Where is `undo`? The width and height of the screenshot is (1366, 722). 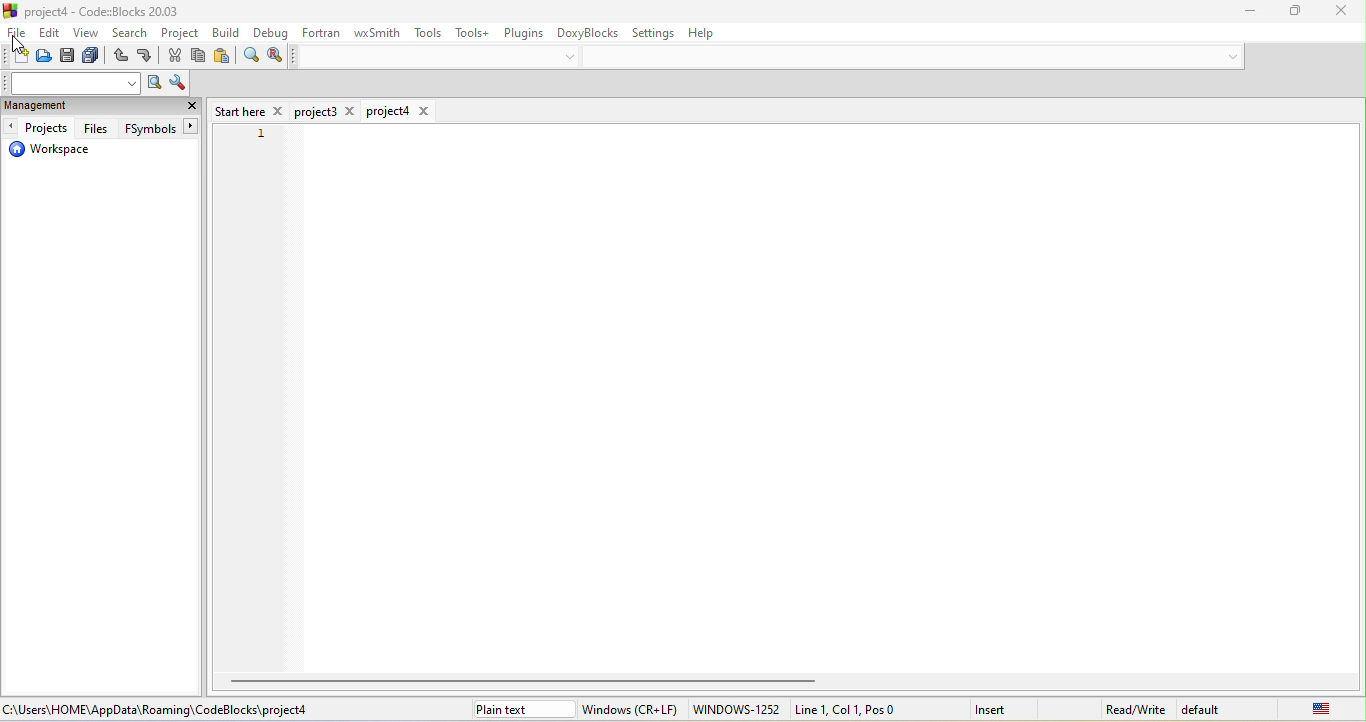 undo is located at coordinates (120, 58).